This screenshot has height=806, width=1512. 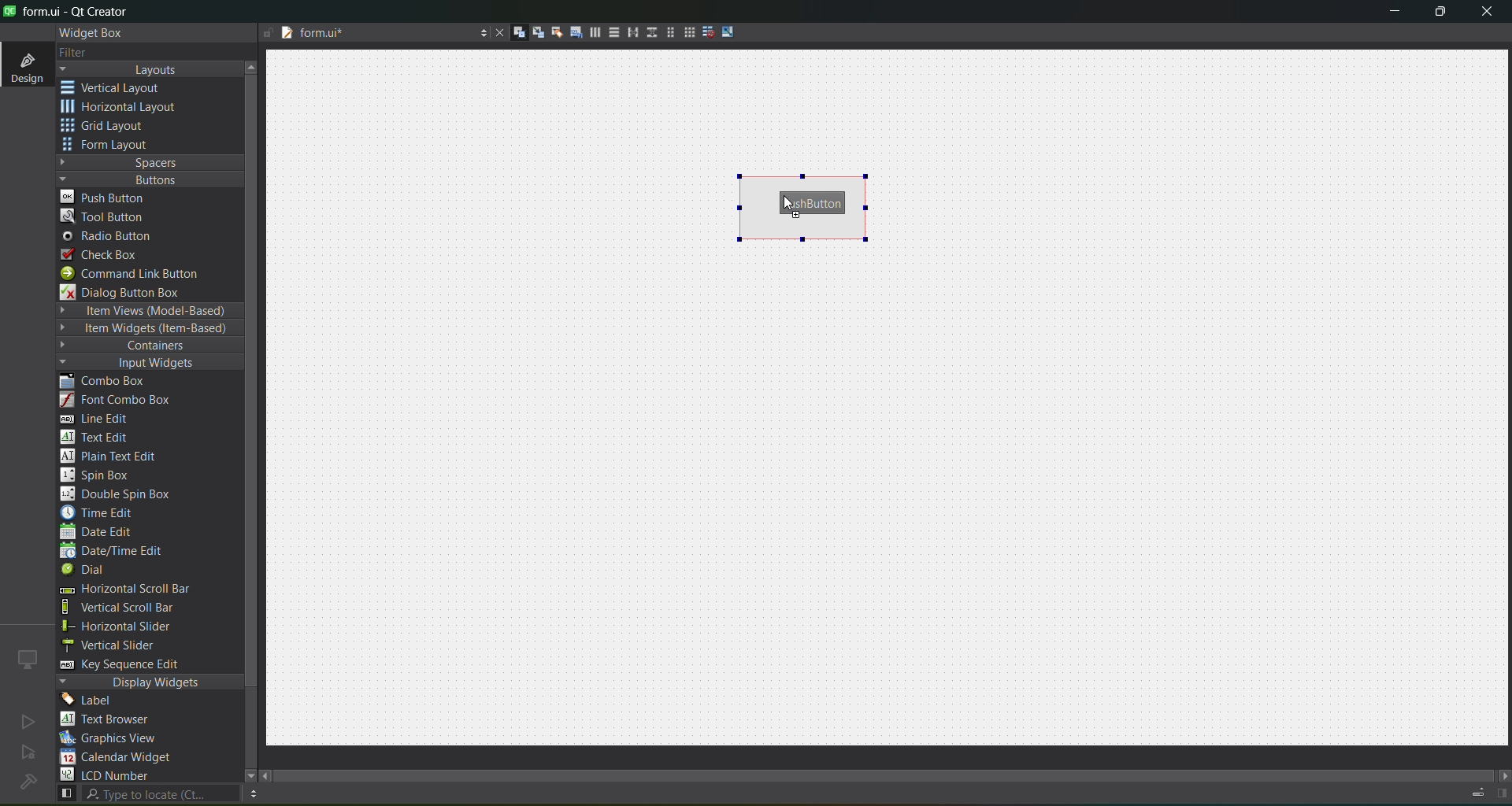 I want to click on item views, so click(x=148, y=312).